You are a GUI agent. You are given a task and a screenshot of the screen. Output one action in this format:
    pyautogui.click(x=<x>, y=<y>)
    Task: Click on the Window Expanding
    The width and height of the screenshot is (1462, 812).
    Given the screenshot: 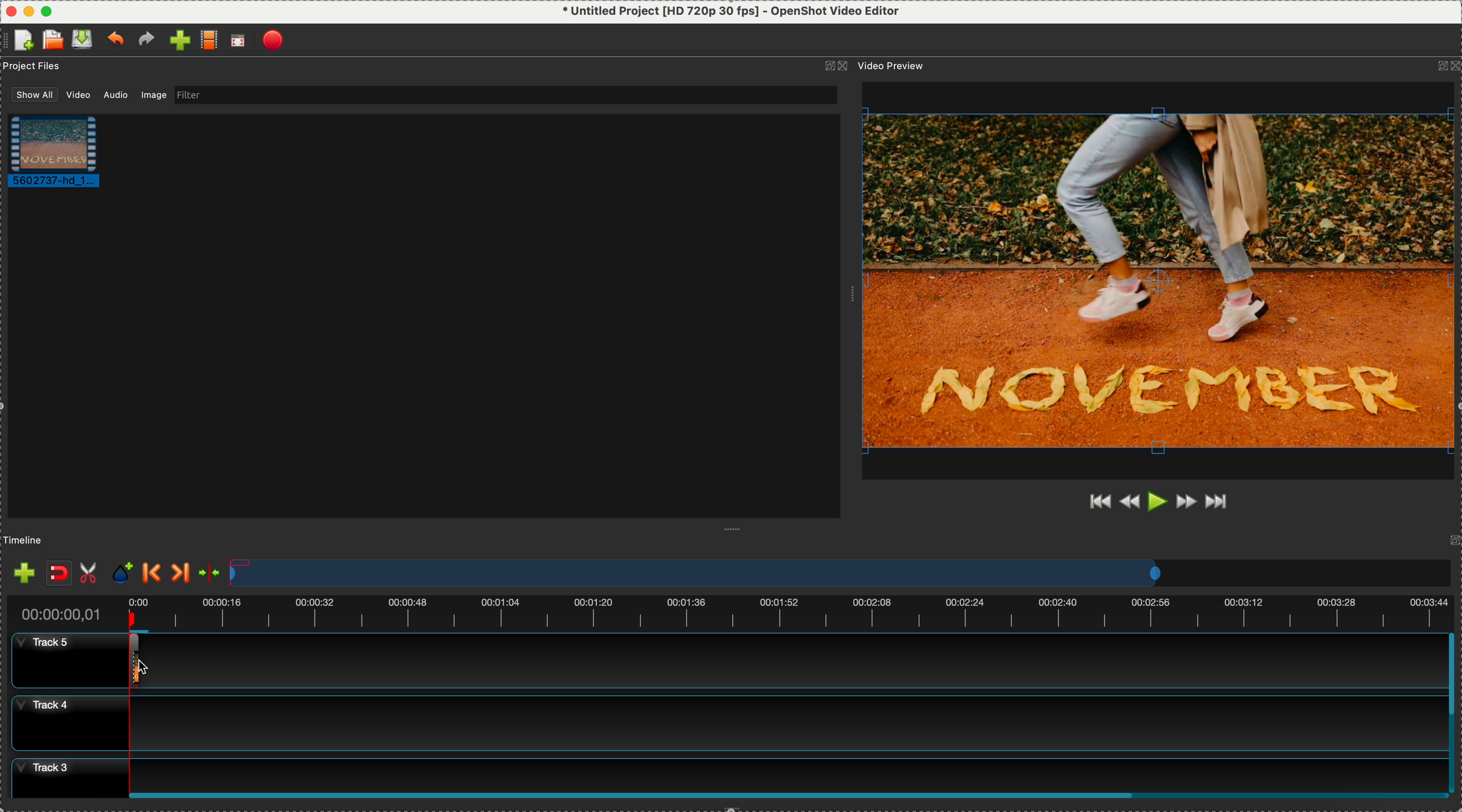 What is the action you would take?
    pyautogui.click(x=851, y=292)
    